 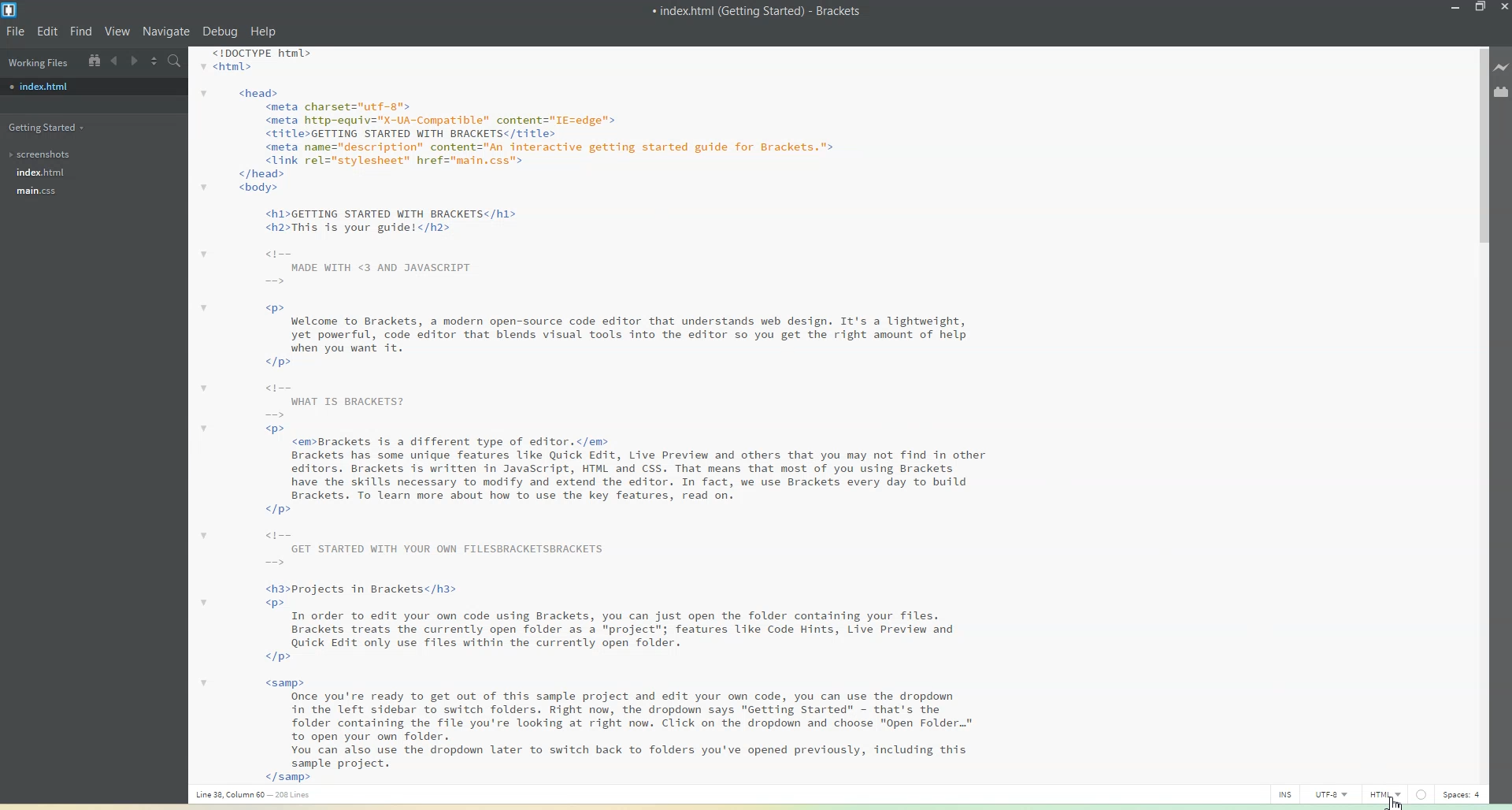 What do you see at coordinates (93, 87) in the screenshot?
I see `Index.html` at bounding box center [93, 87].